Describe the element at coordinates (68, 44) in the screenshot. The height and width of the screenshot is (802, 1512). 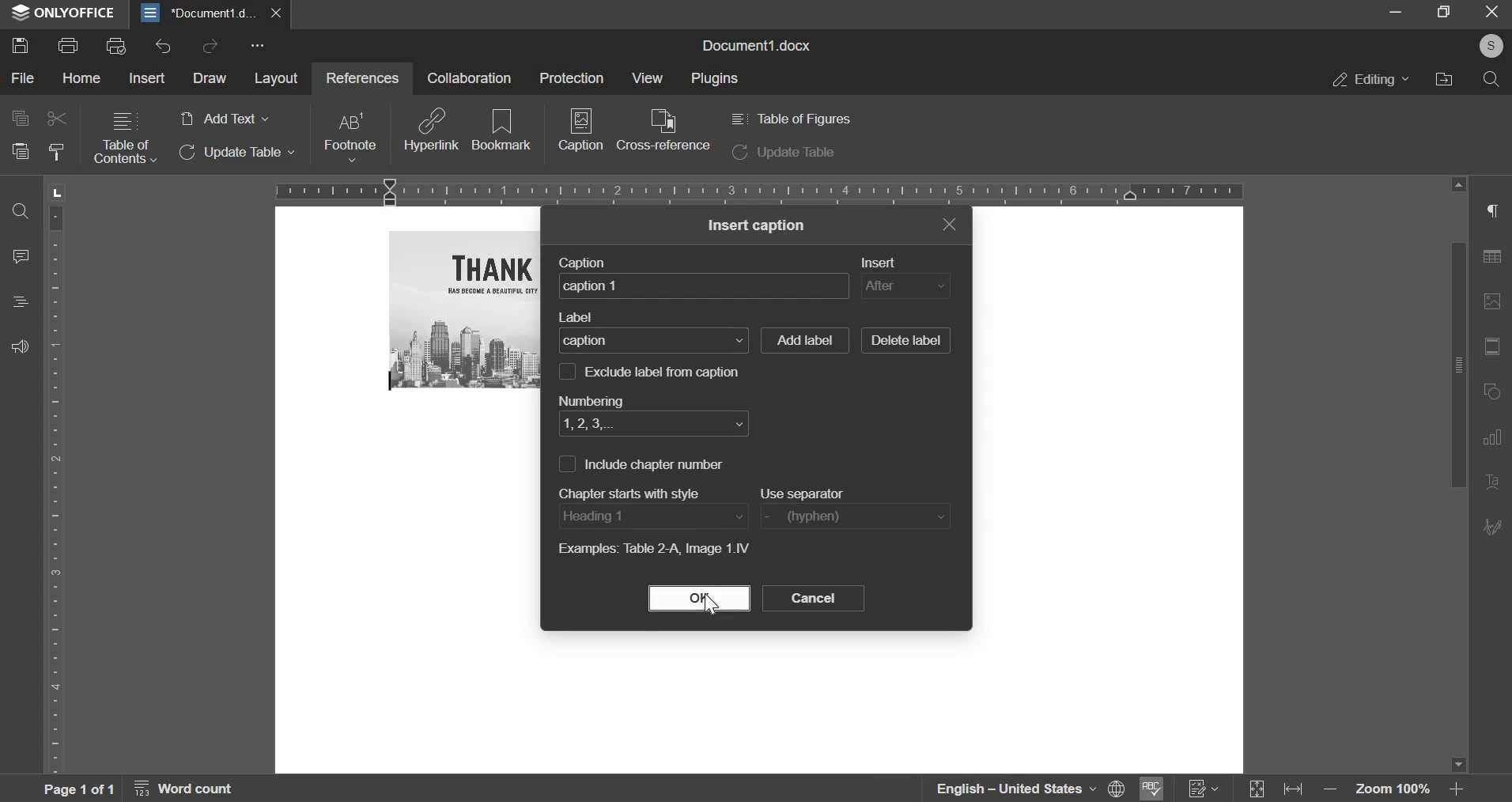
I see `print` at that location.